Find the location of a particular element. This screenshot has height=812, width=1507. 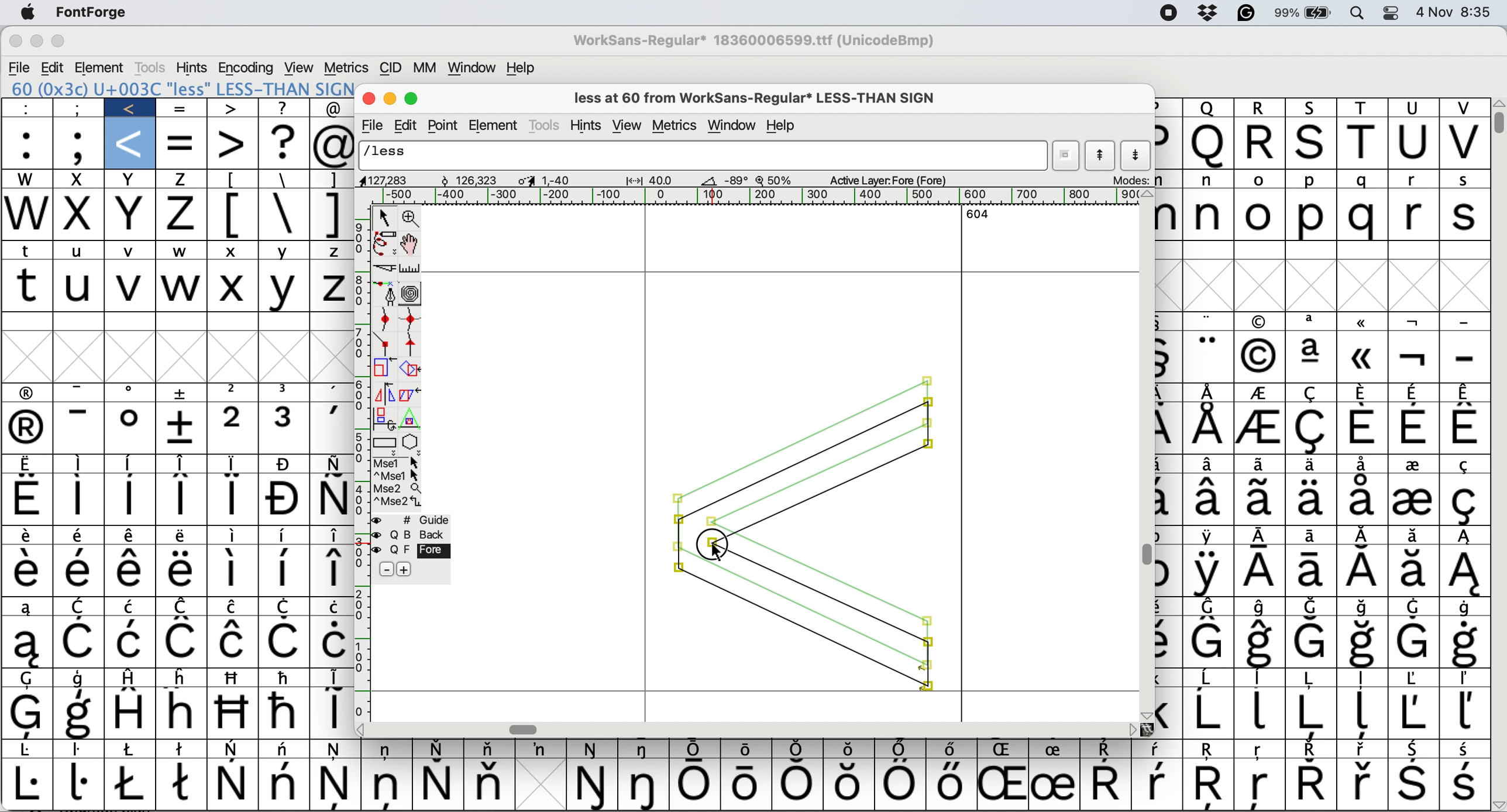

Symbol is located at coordinates (1107, 750).